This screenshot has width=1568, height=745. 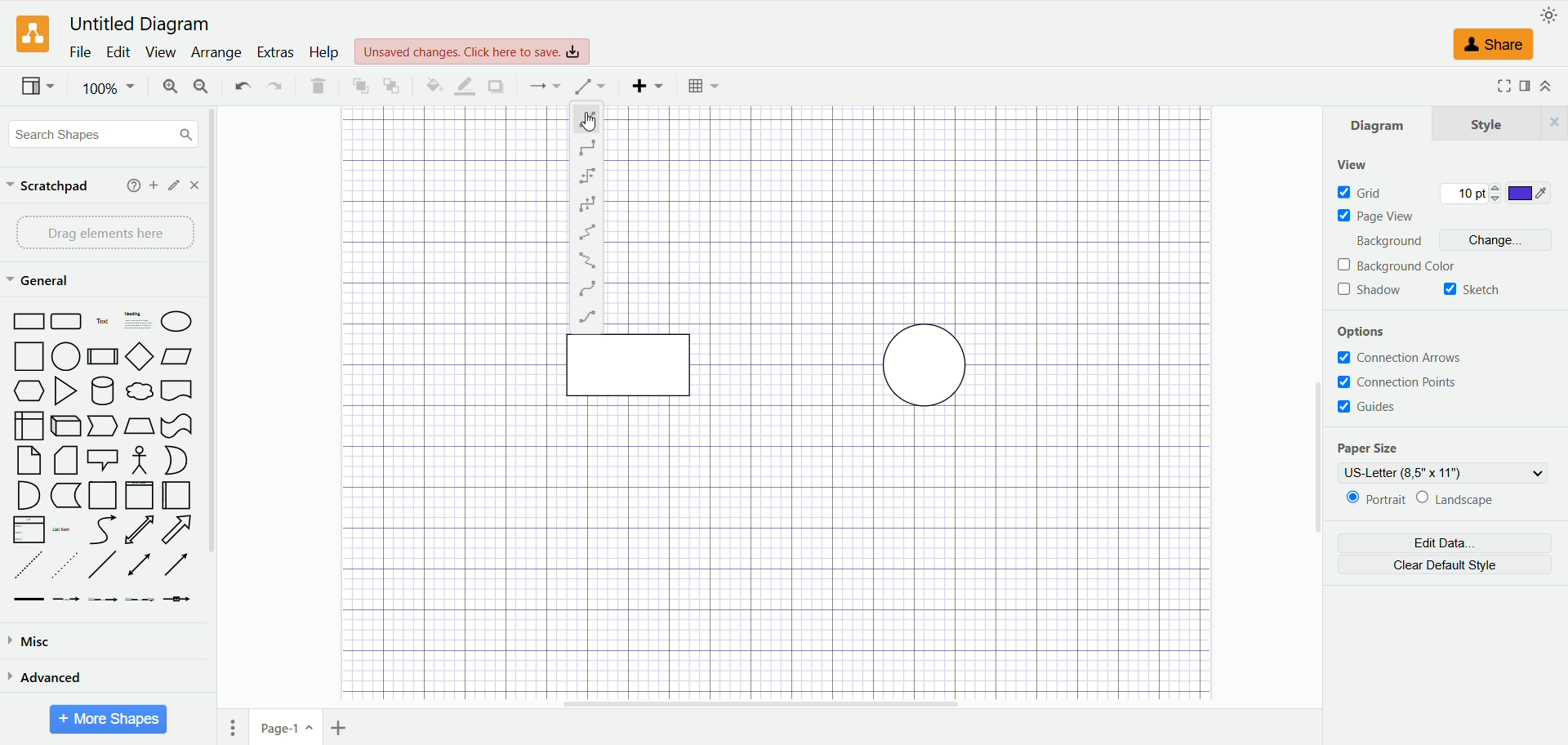 What do you see at coordinates (274, 86) in the screenshot?
I see `redo` at bounding box center [274, 86].